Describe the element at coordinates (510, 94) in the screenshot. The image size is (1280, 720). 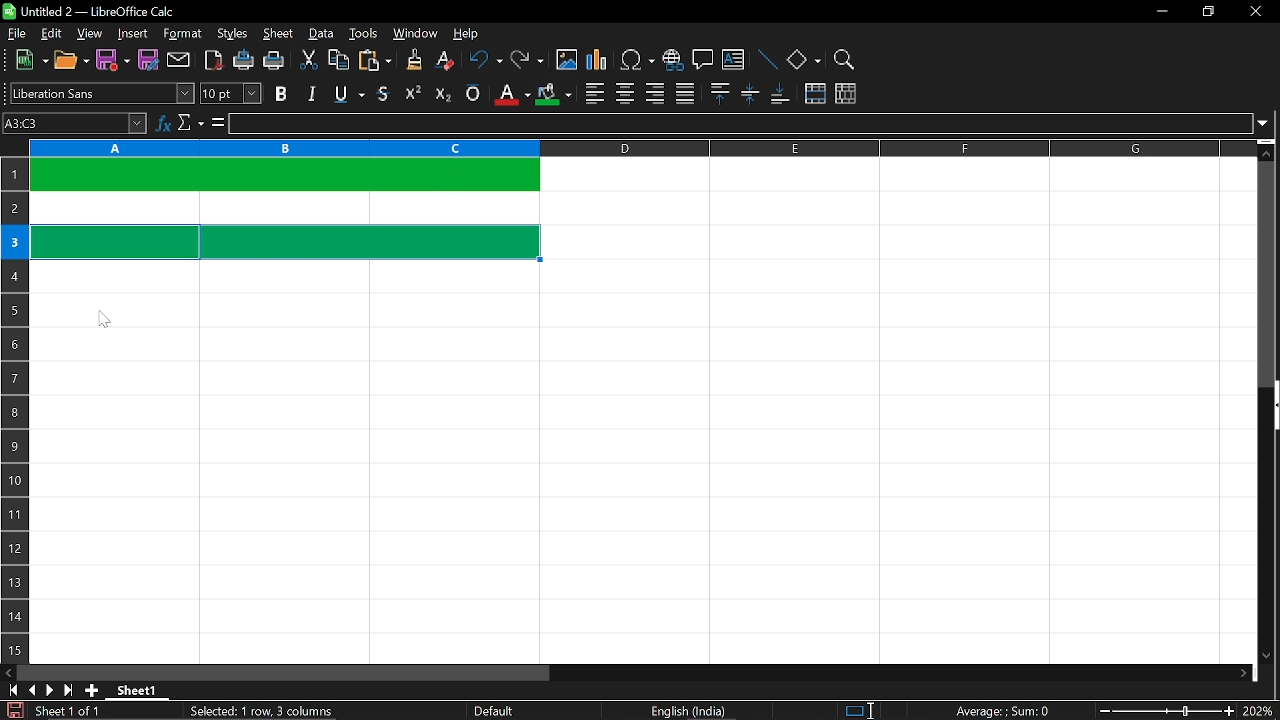
I see `text color` at that location.